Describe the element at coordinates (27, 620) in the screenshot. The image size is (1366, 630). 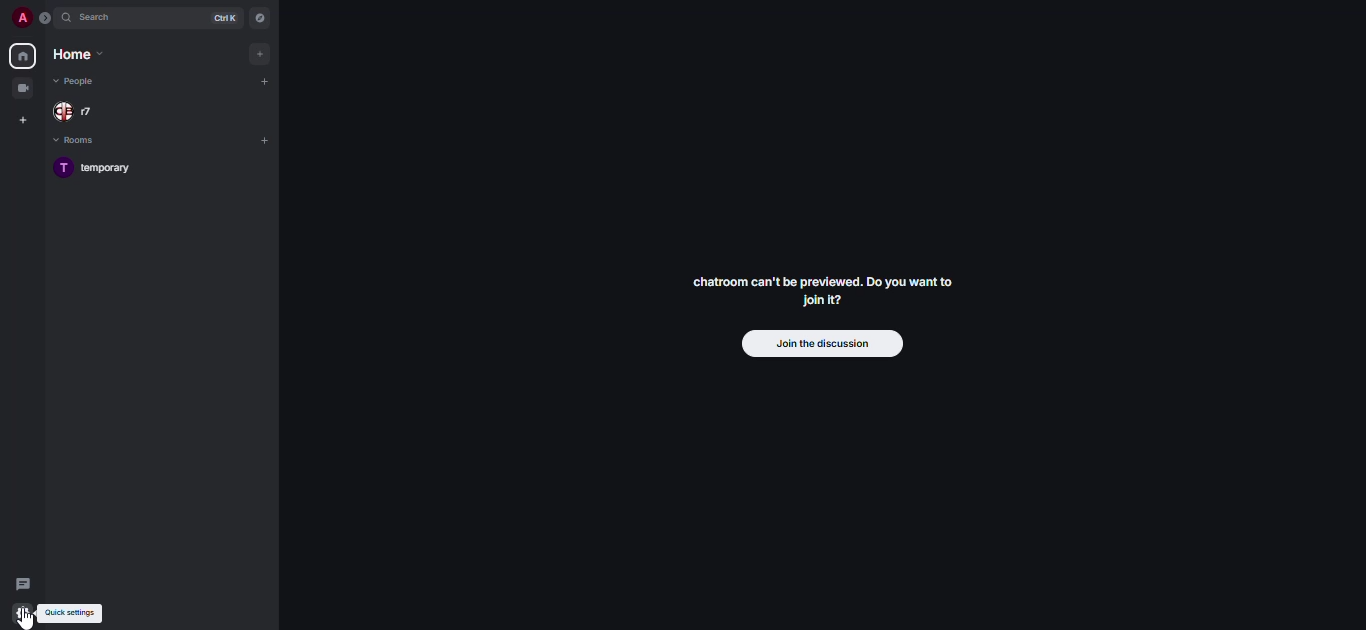
I see `cursor` at that location.